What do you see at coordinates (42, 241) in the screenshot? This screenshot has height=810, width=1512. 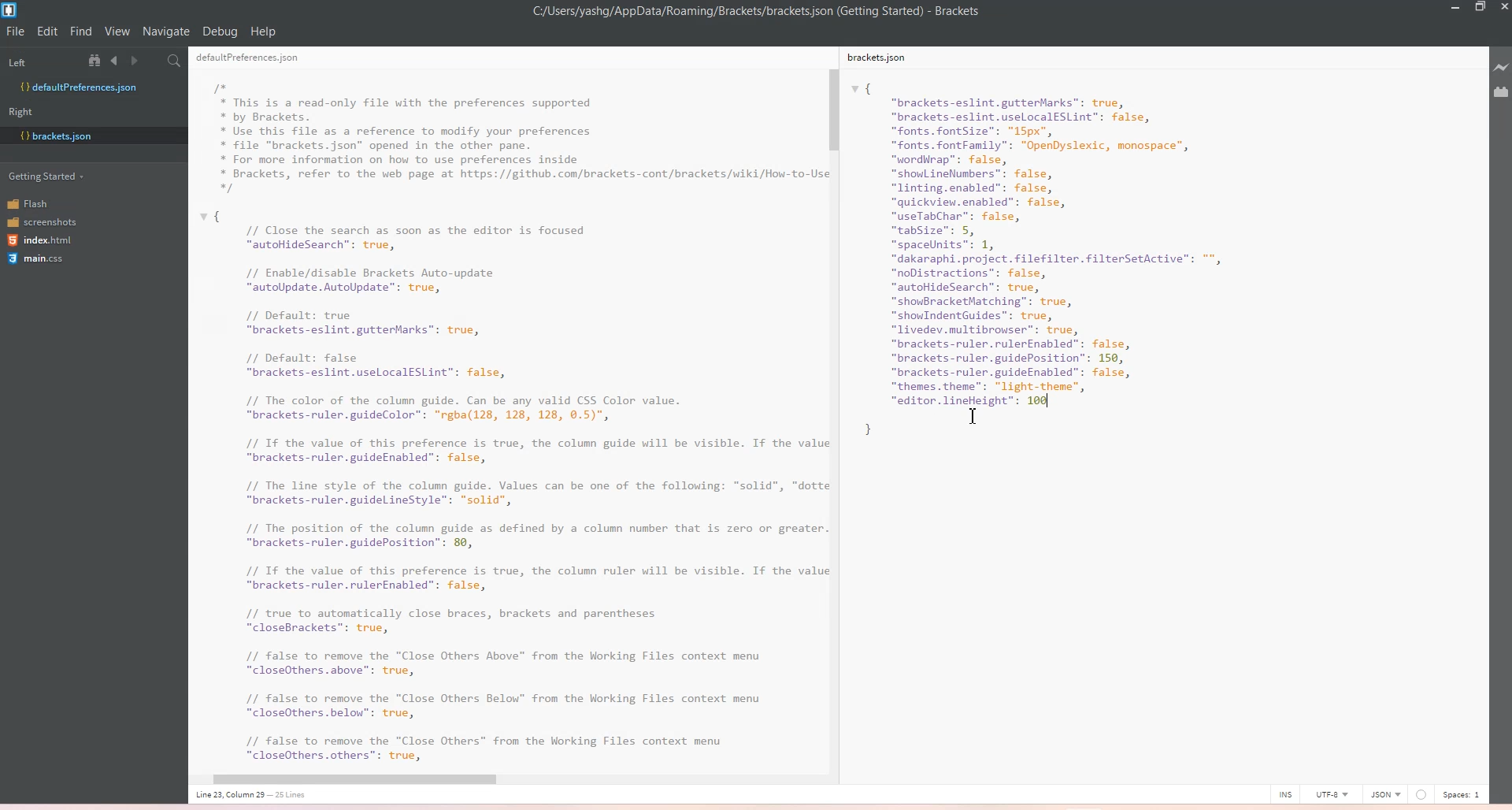 I see `index.html` at bounding box center [42, 241].